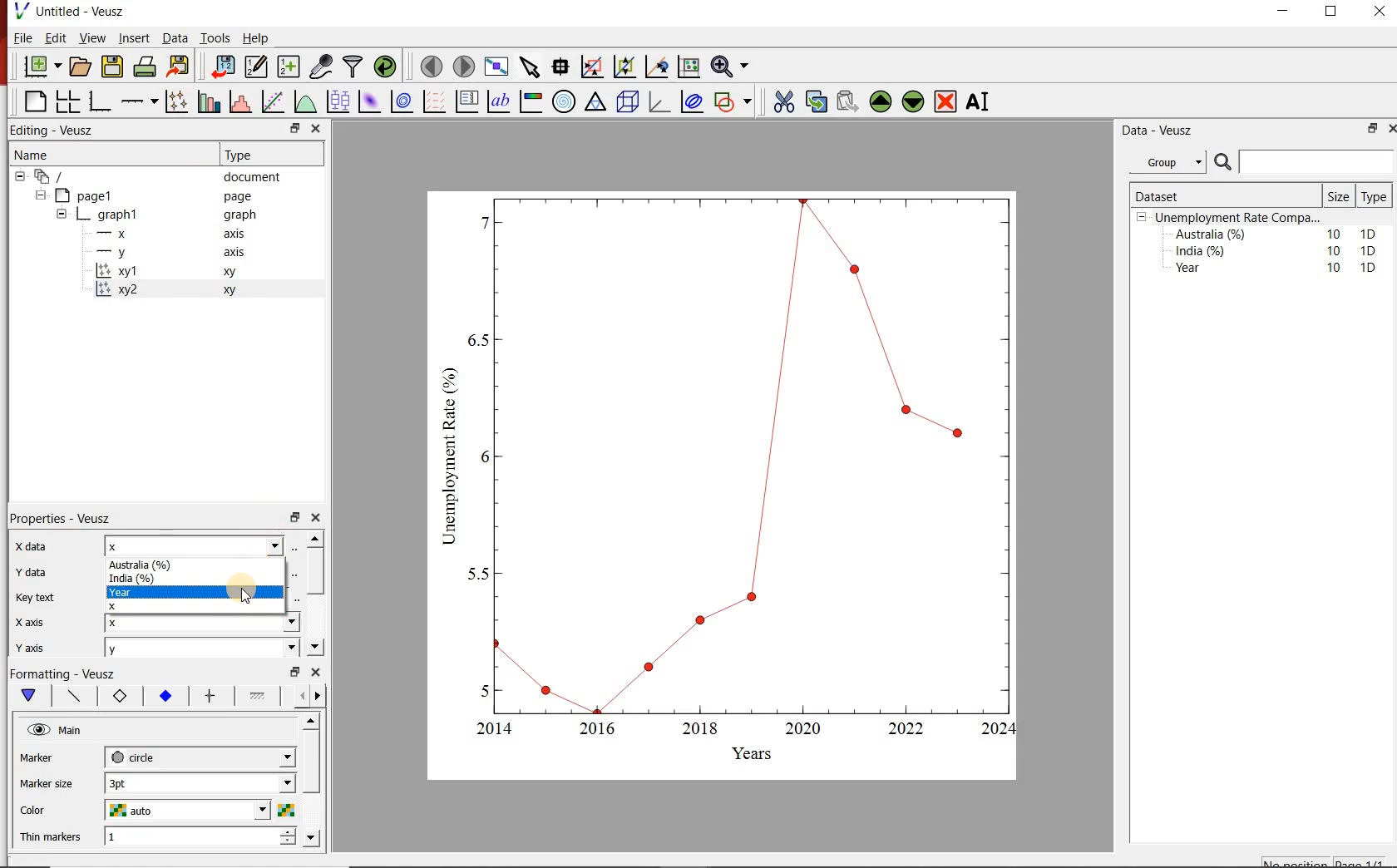 This screenshot has width=1397, height=868. I want to click on histograms, so click(239, 101).